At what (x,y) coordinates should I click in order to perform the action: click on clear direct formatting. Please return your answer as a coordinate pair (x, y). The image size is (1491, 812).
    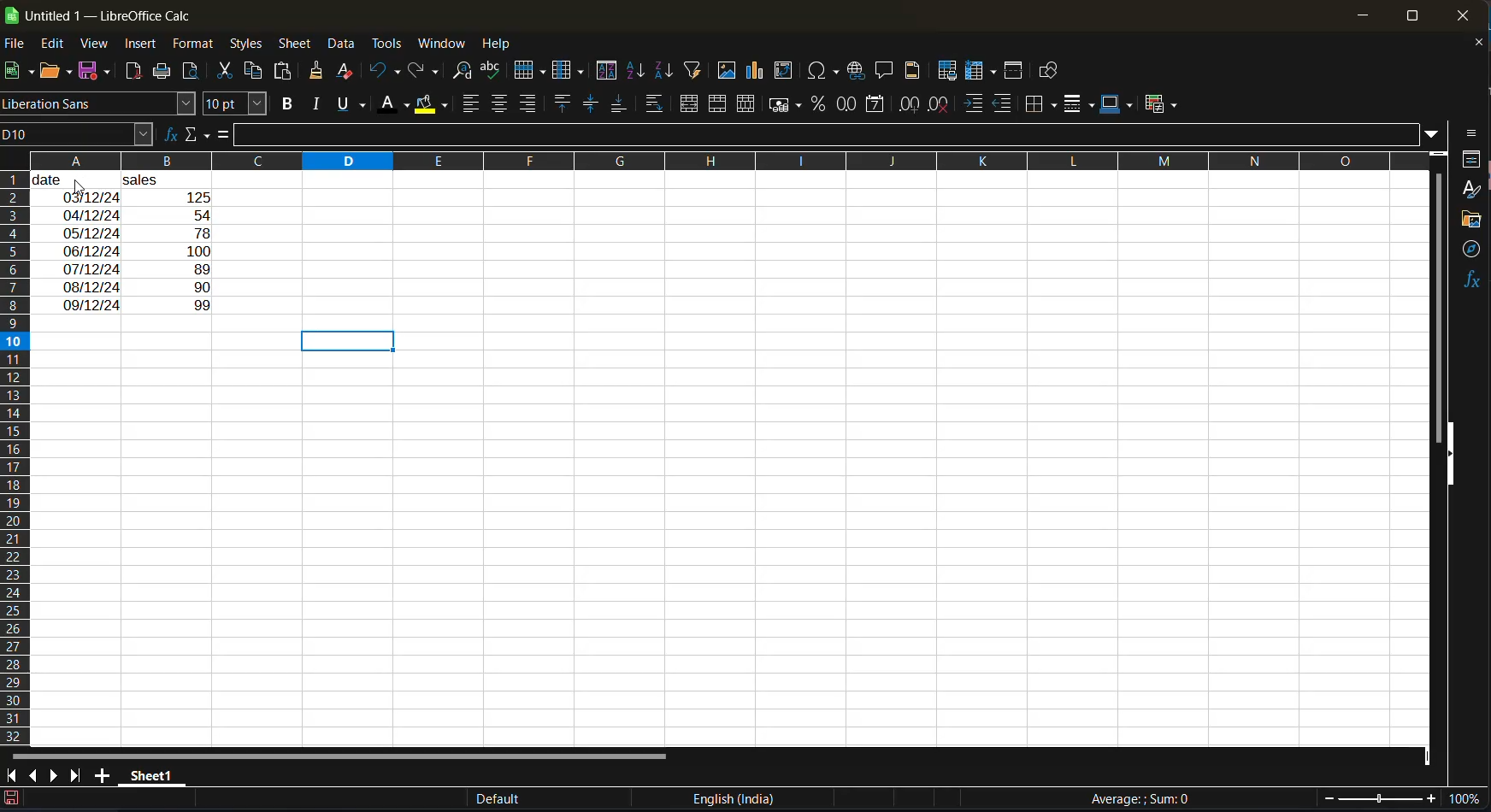
    Looking at the image, I should click on (349, 71).